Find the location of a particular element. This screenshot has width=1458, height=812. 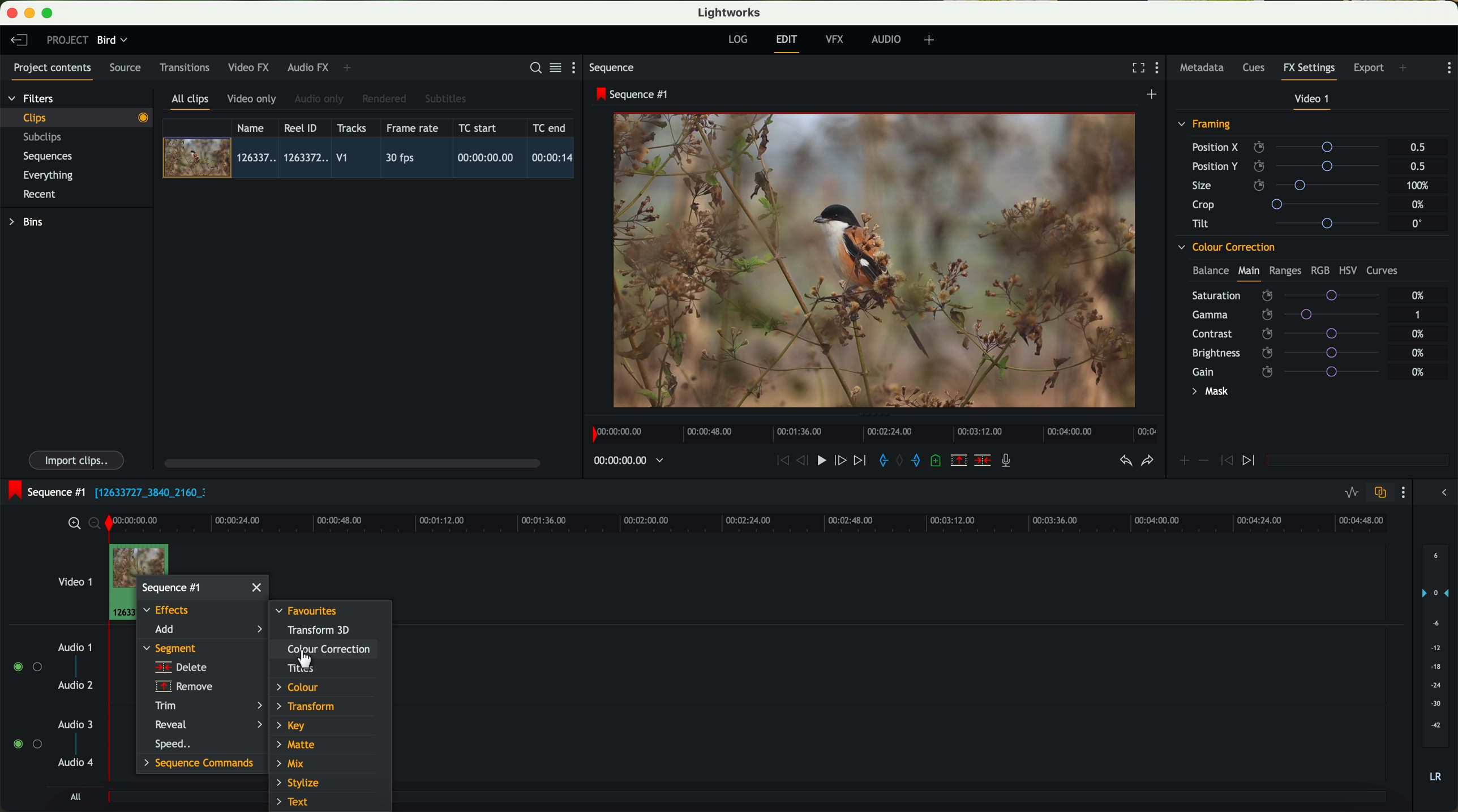

close window is located at coordinates (255, 587).